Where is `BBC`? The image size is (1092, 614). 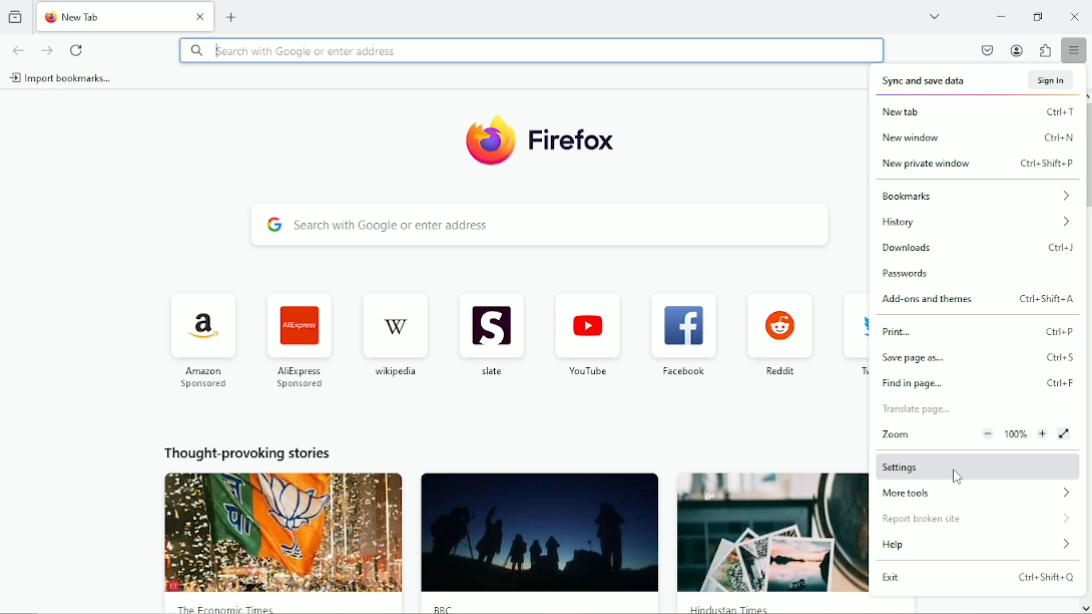 BBC is located at coordinates (446, 608).